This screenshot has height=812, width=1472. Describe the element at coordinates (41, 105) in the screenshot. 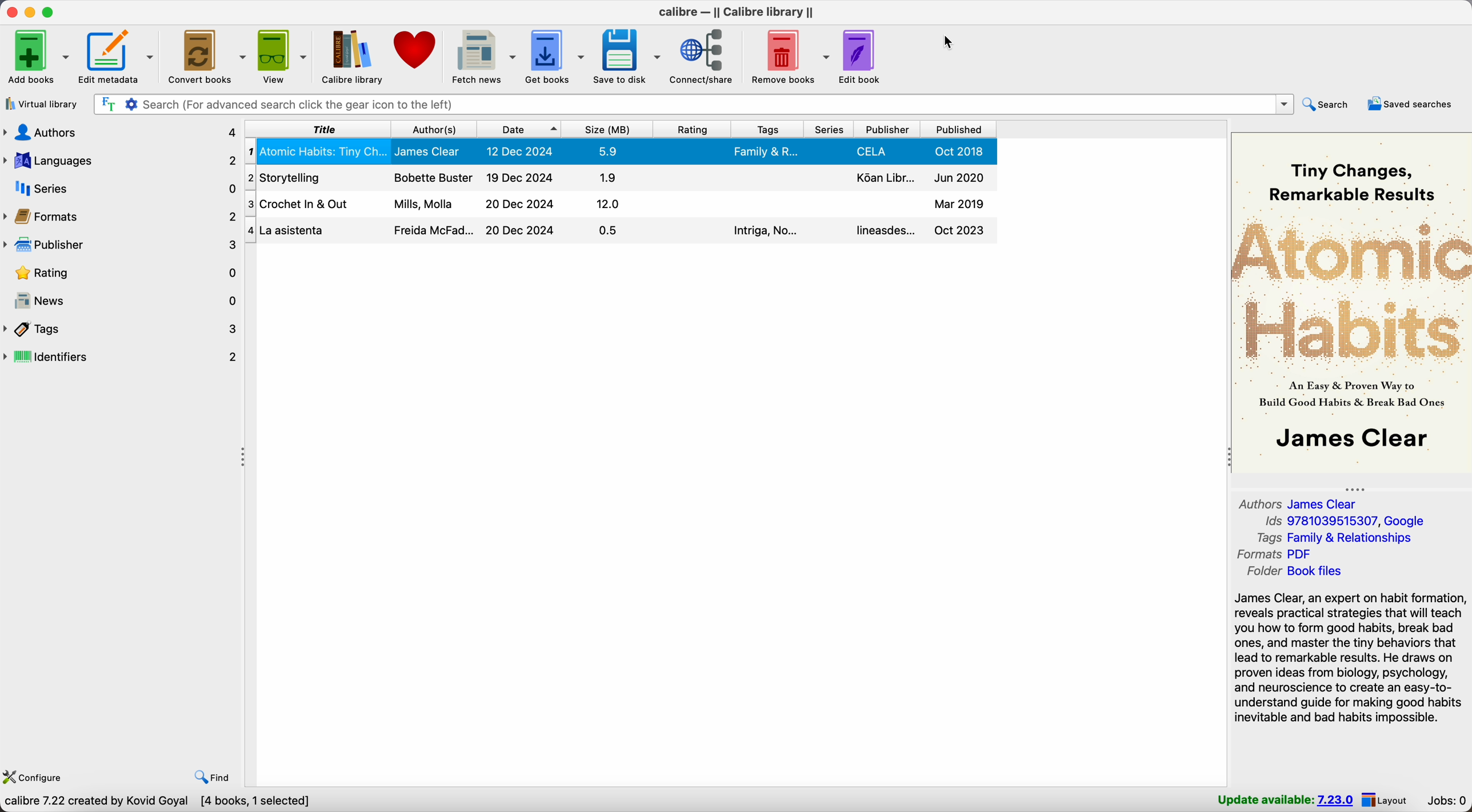

I see `virtual library` at that location.